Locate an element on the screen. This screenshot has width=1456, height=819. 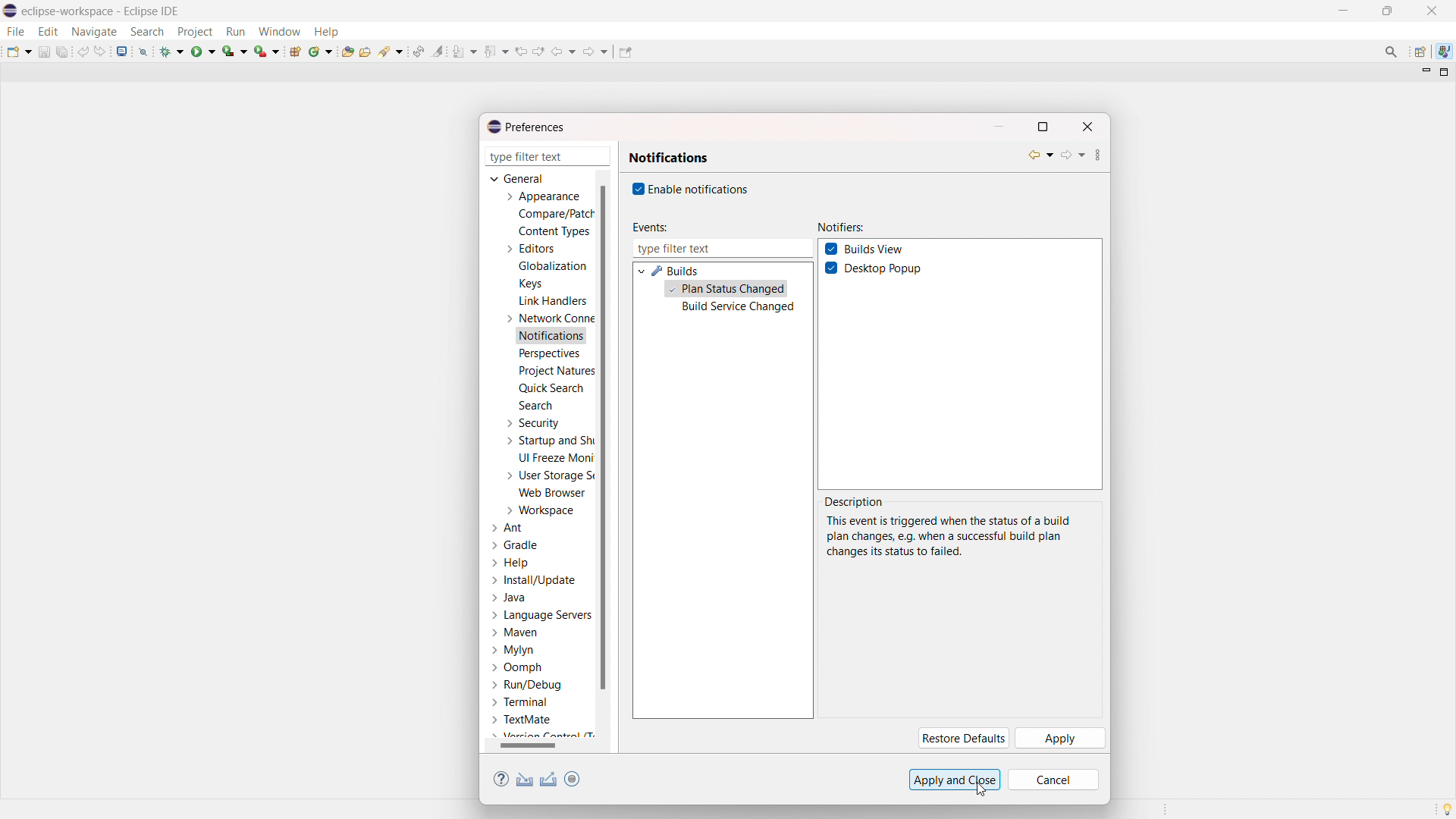
open console is located at coordinates (121, 52).